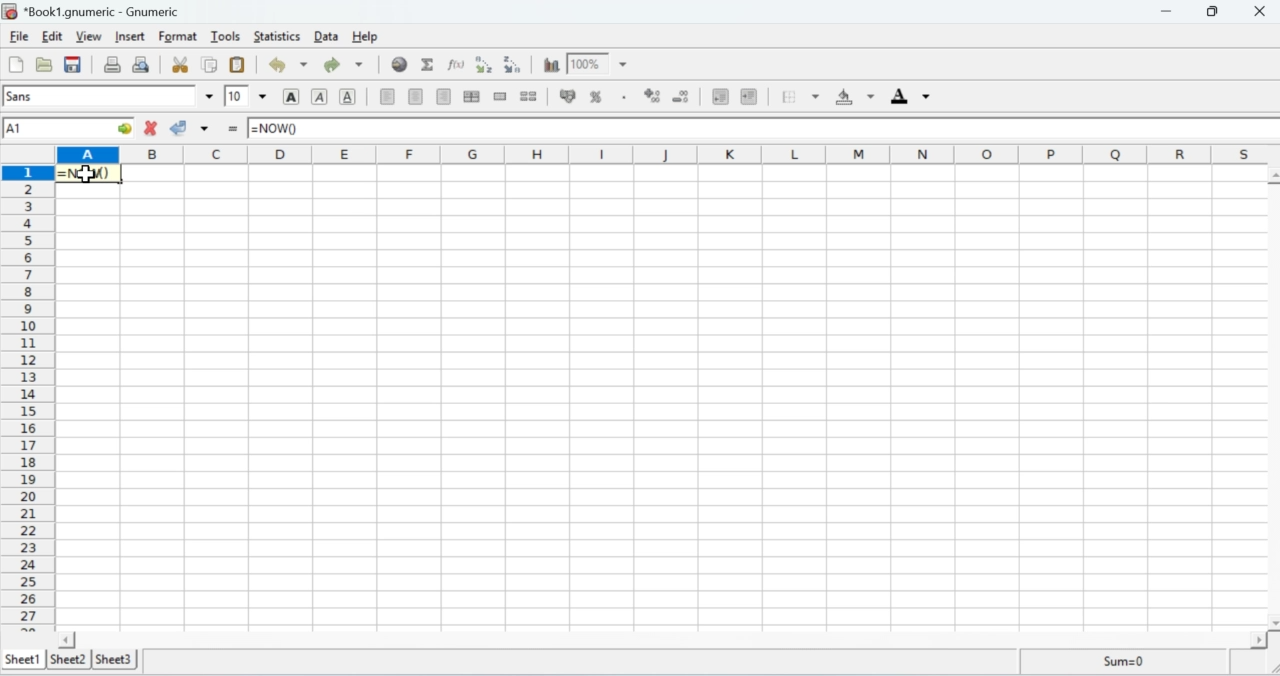 The height and width of the screenshot is (676, 1280). I want to click on View, so click(90, 38).